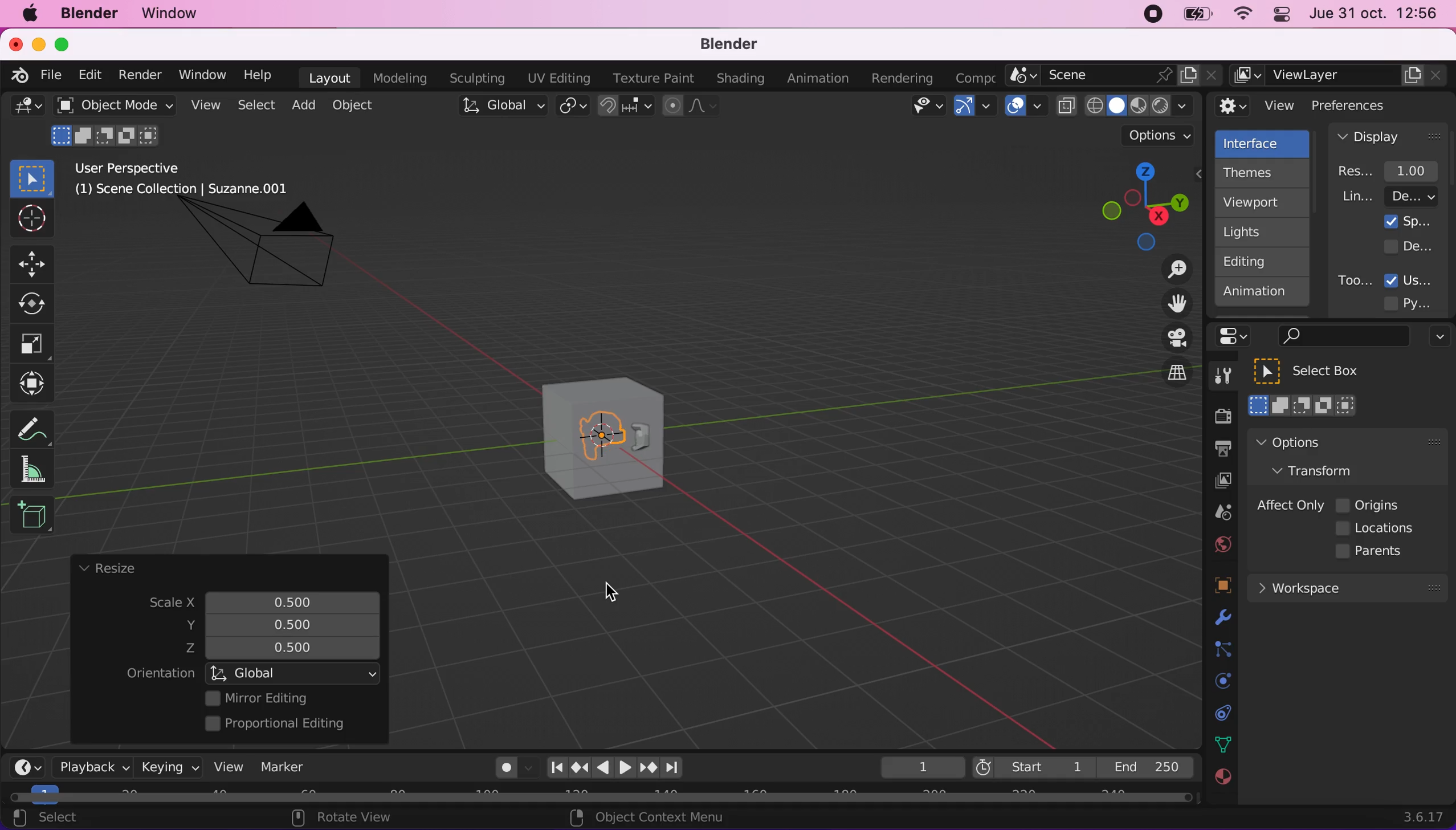  What do you see at coordinates (741, 79) in the screenshot?
I see `shading` at bounding box center [741, 79].